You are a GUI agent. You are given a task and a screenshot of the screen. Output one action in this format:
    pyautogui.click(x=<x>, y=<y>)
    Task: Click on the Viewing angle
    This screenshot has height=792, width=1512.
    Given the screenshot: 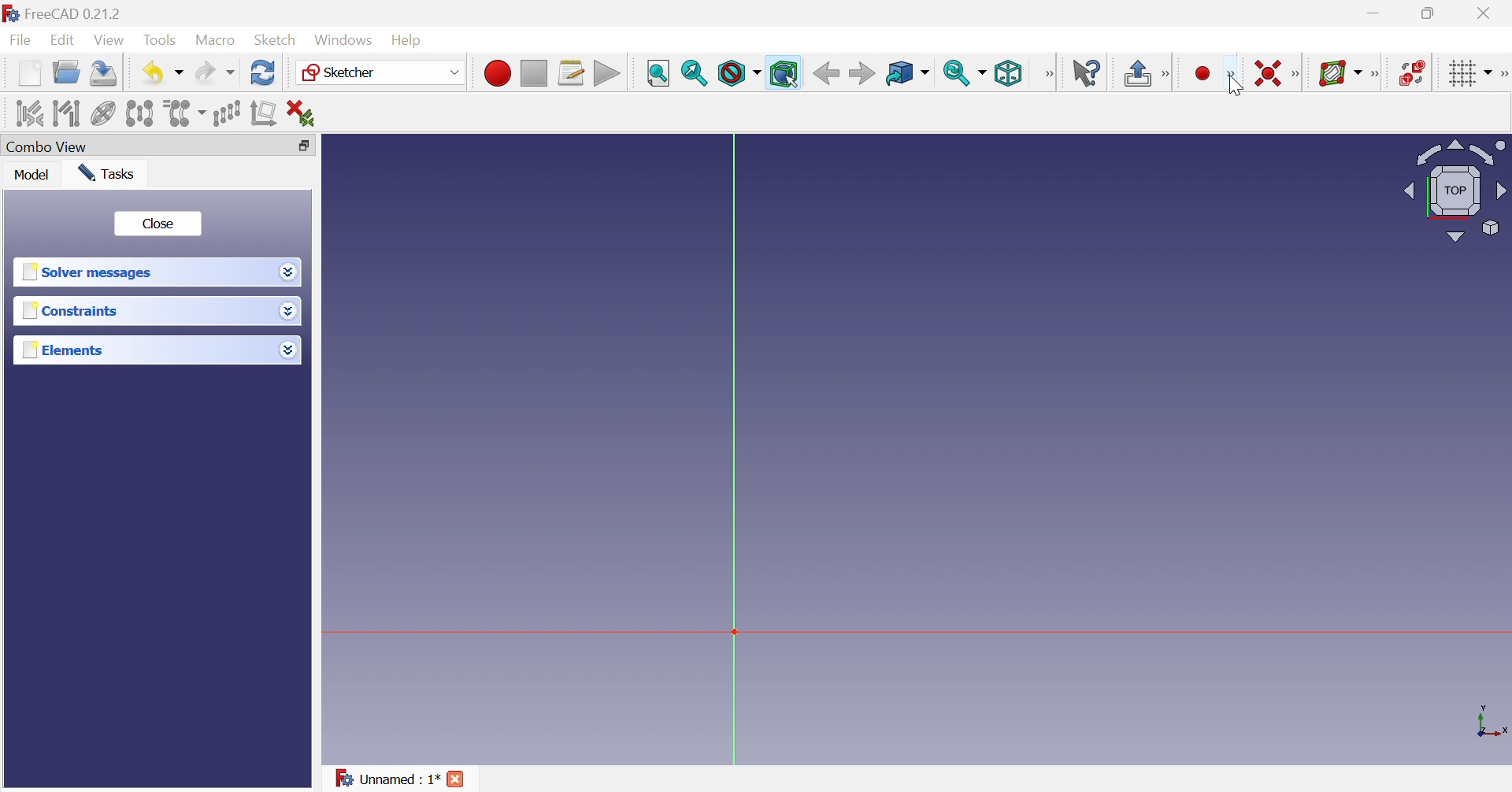 What is the action you would take?
    pyautogui.click(x=1455, y=192)
    